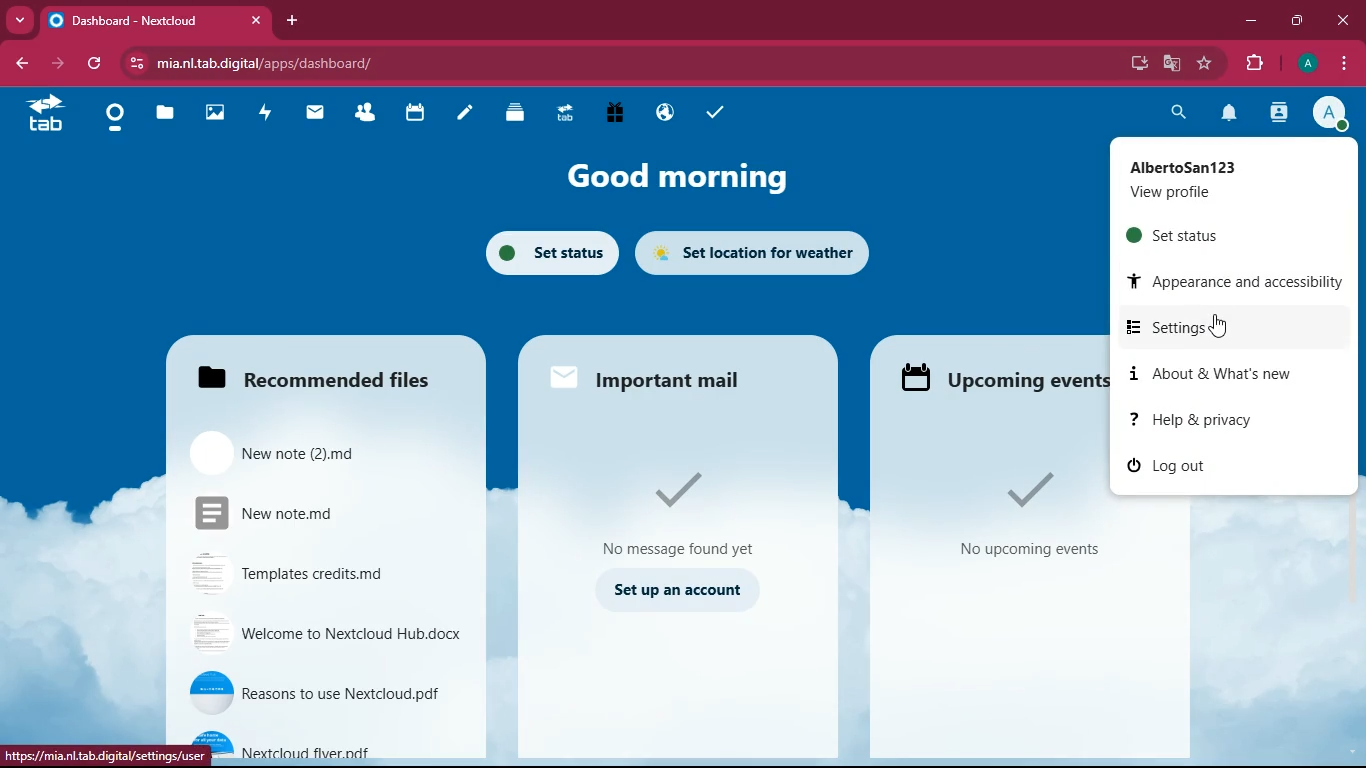 This screenshot has width=1366, height=768. I want to click on maximize, so click(1296, 21).